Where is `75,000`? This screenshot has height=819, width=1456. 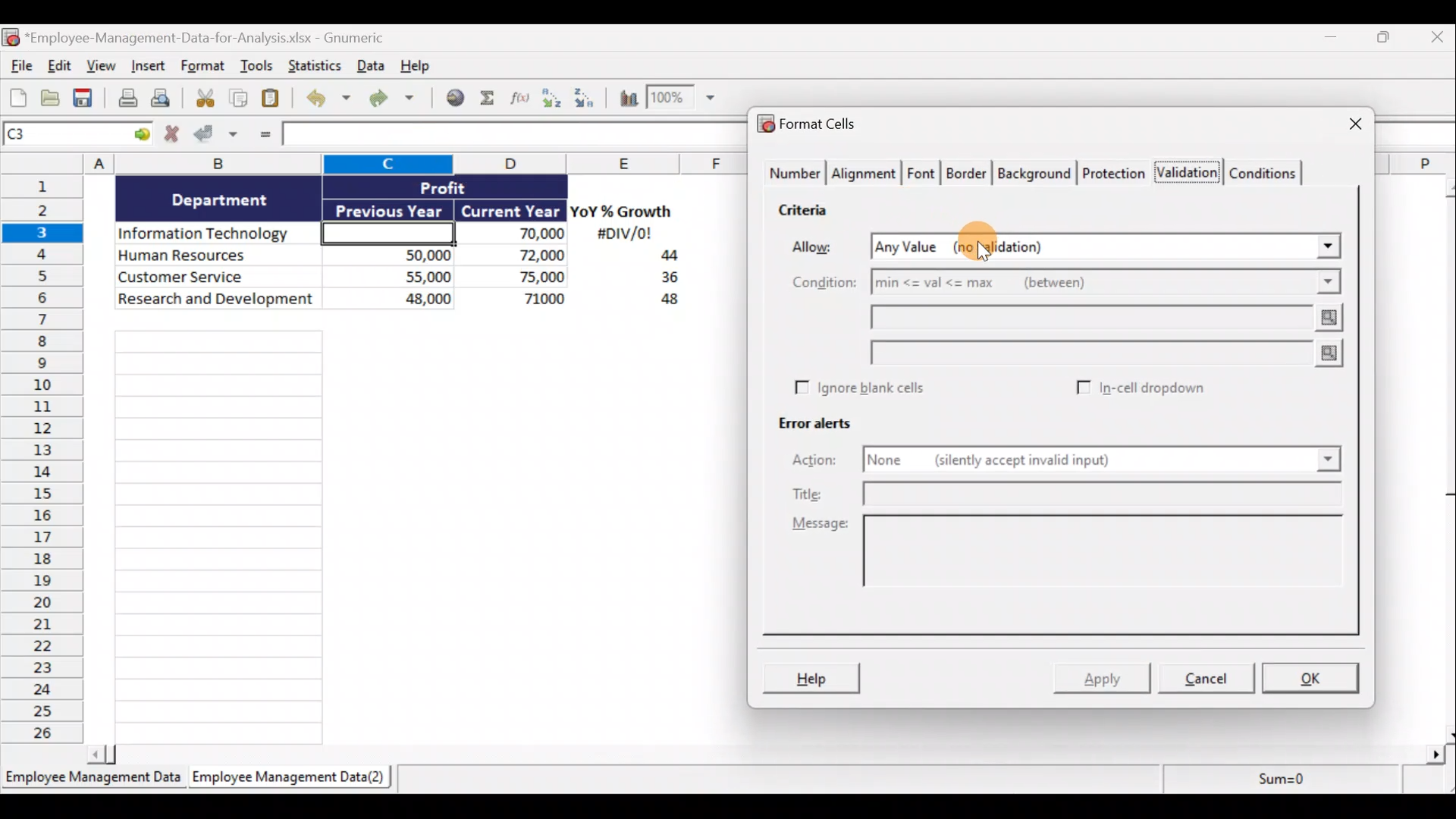 75,000 is located at coordinates (519, 278).